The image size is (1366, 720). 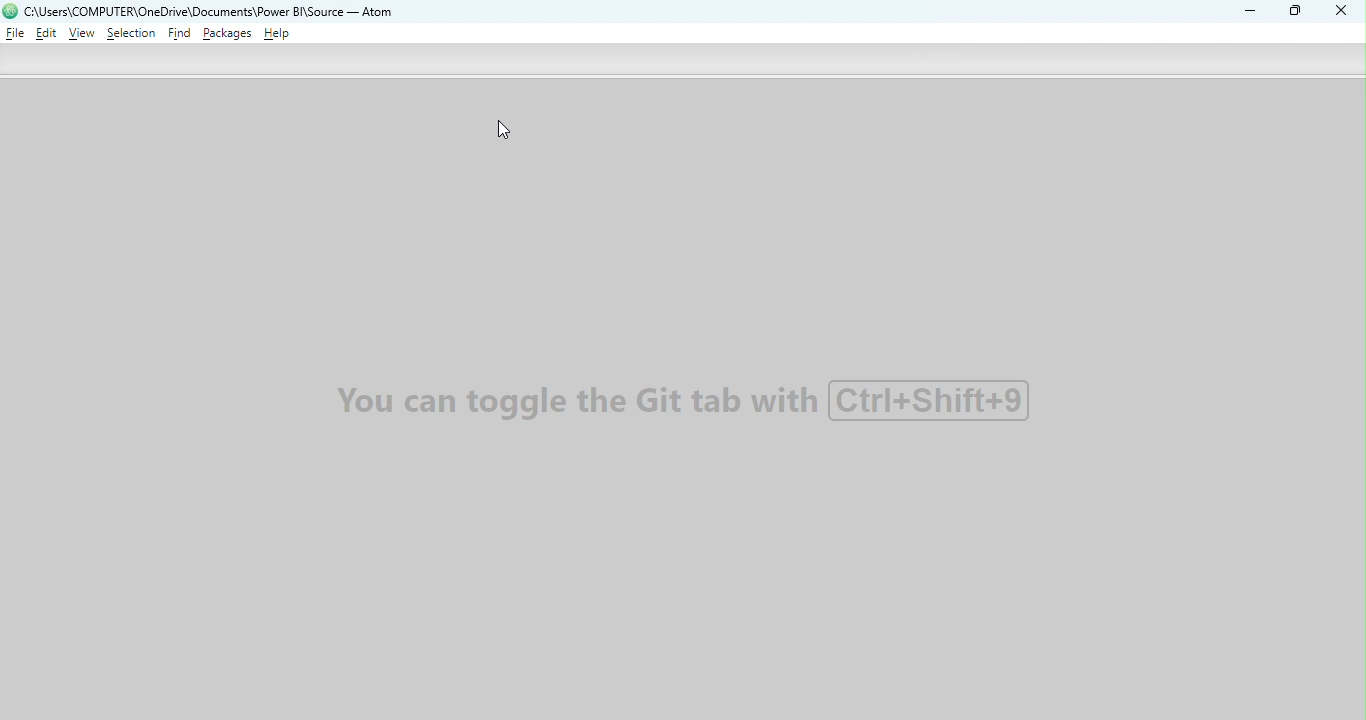 I want to click on Maximize, so click(x=1298, y=12).